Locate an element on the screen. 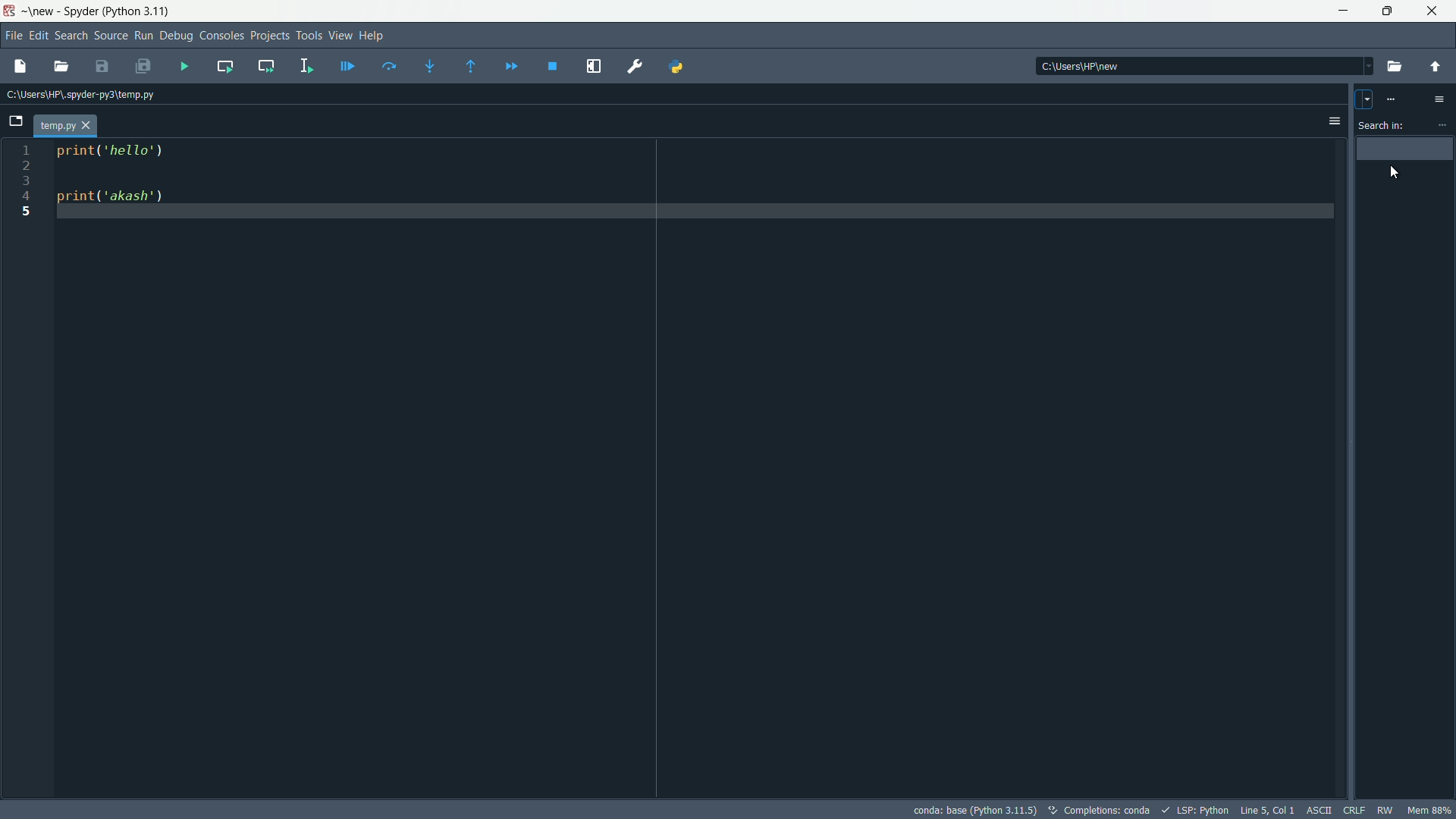 The width and height of the screenshot is (1456, 819). browse directory is located at coordinates (1394, 67).